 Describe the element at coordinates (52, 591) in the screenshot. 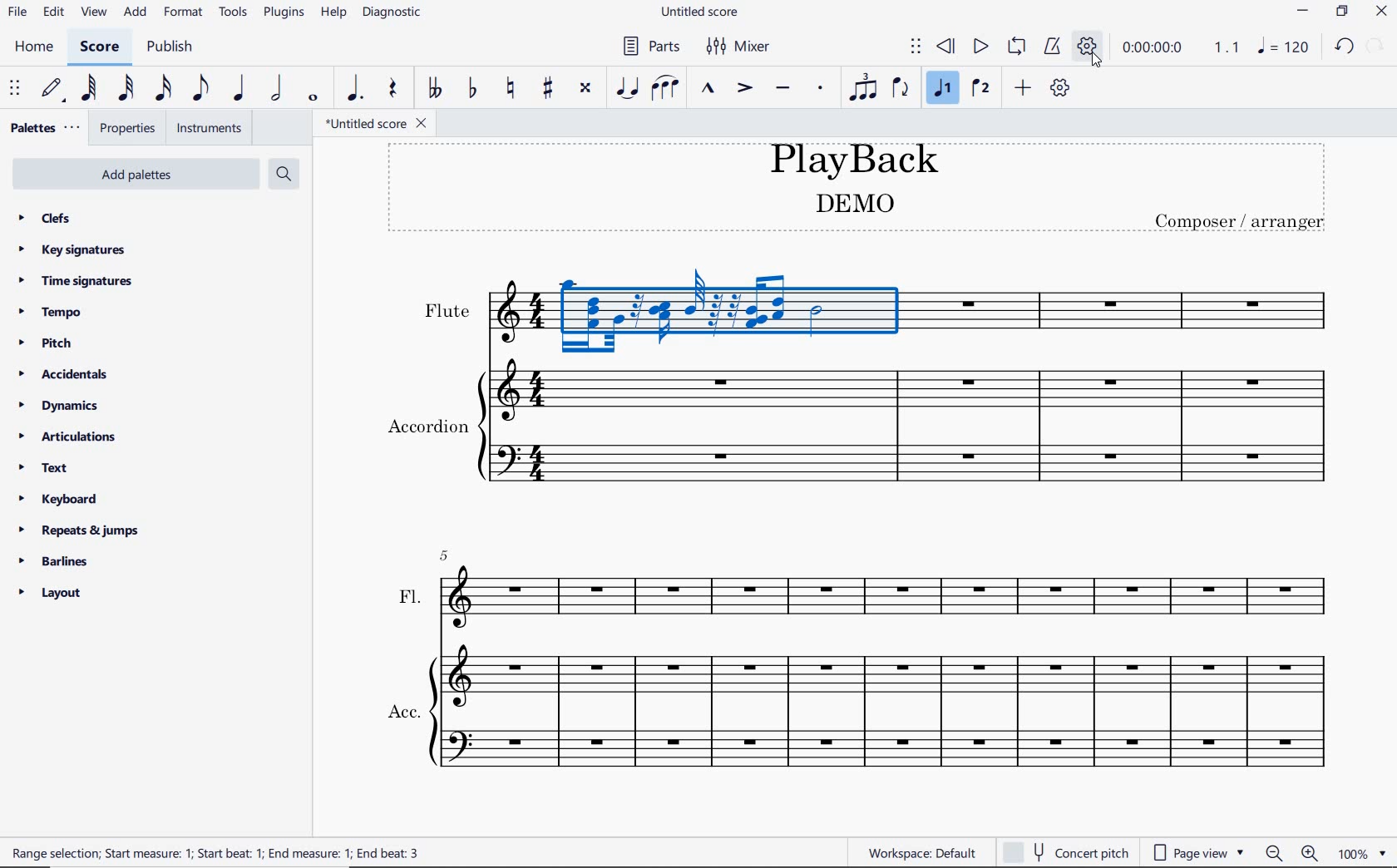

I see `layout` at that location.